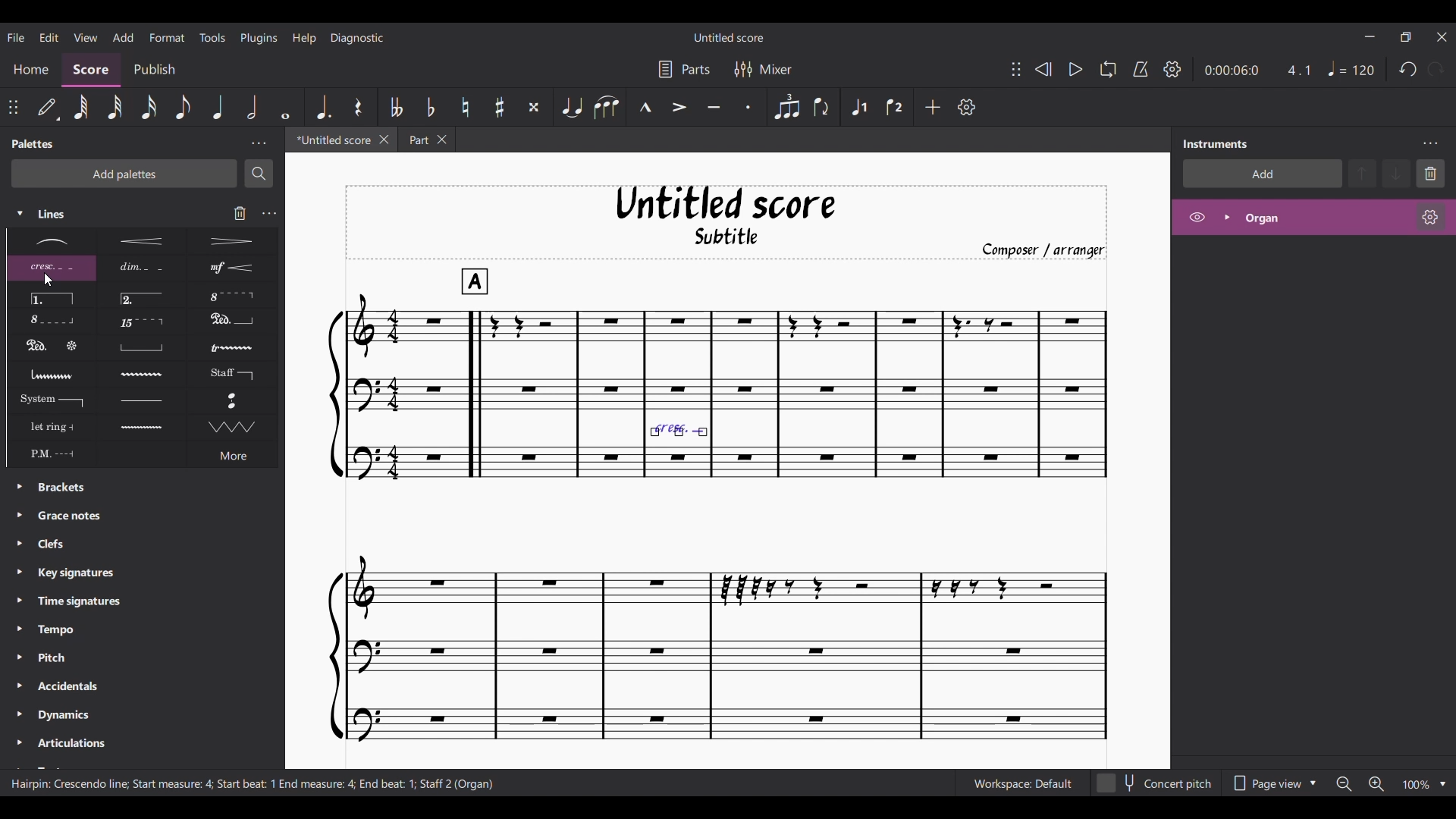 The image size is (1456, 819). Describe the element at coordinates (153, 70) in the screenshot. I see `Publish section` at that location.